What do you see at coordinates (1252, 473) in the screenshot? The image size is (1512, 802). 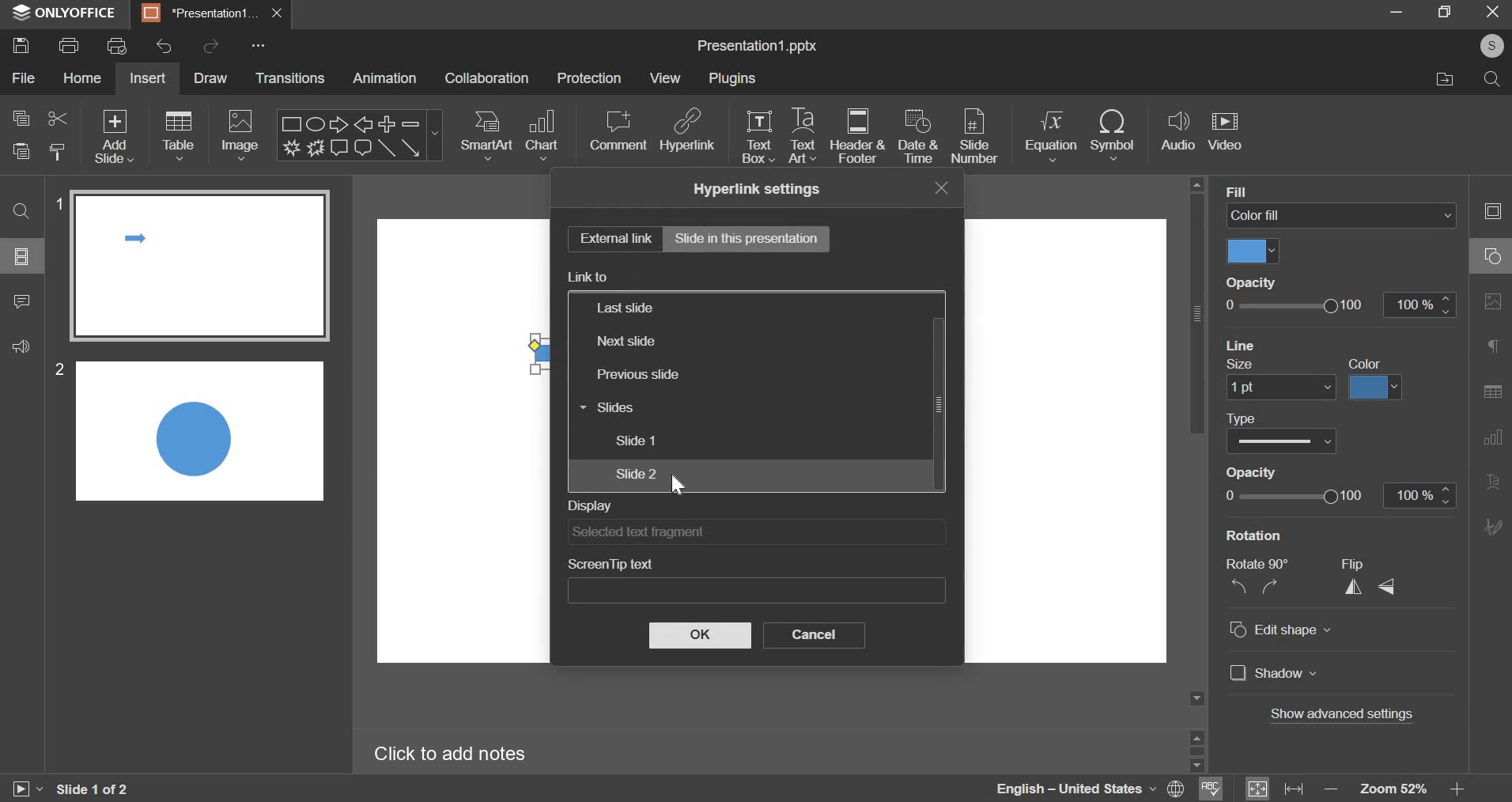 I see `Opacity` at bounding box center [1252, 473].